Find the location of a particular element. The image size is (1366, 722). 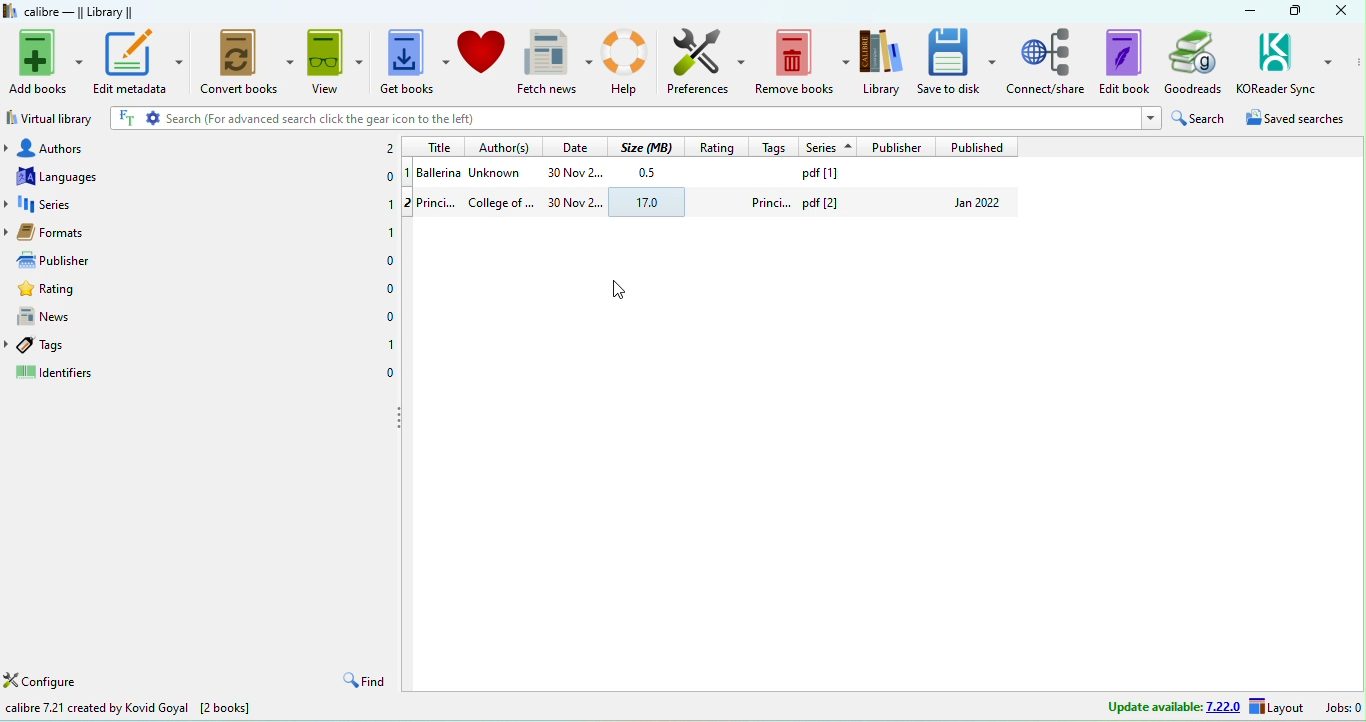

search is located at coordinates (1203, 118).